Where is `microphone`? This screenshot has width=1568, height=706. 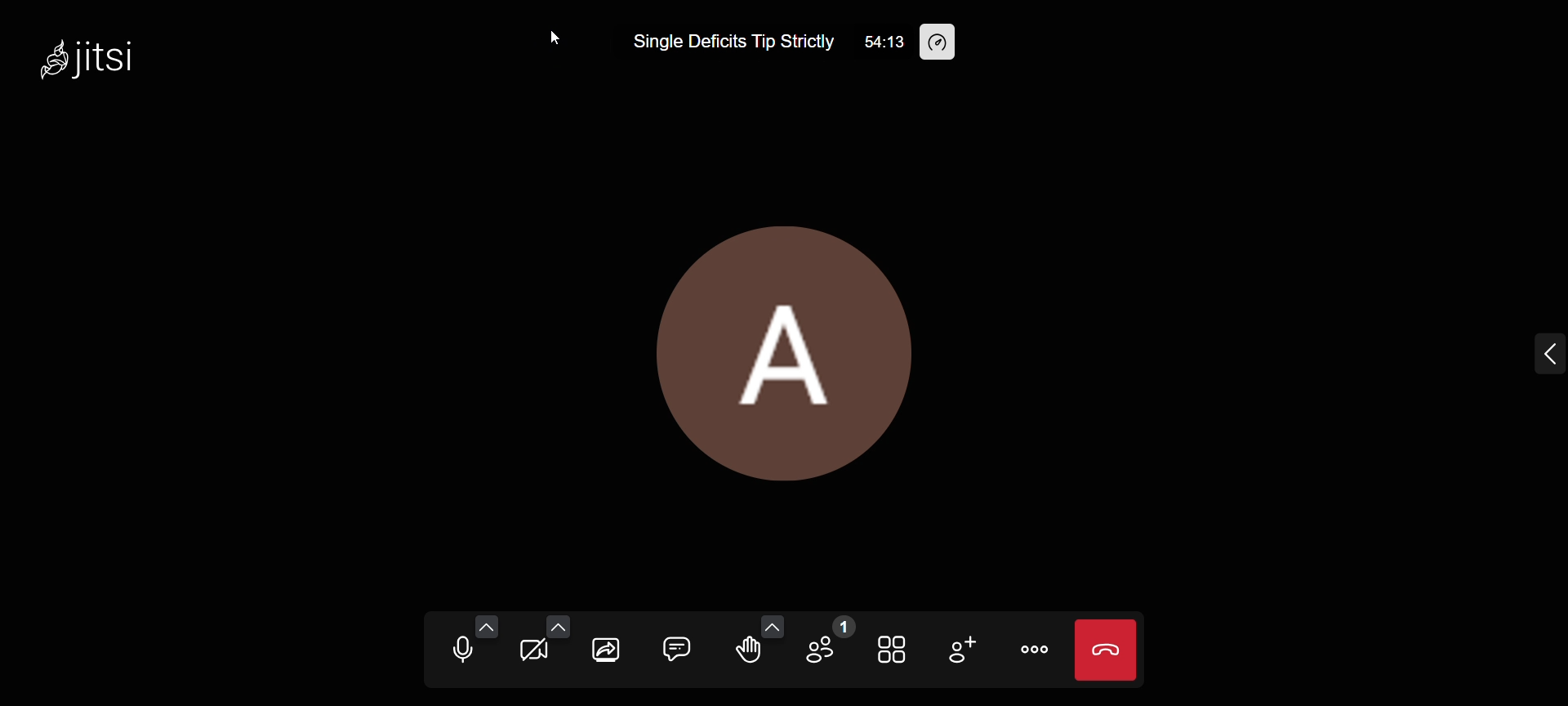 microphone is located at coordinates (452, 654).